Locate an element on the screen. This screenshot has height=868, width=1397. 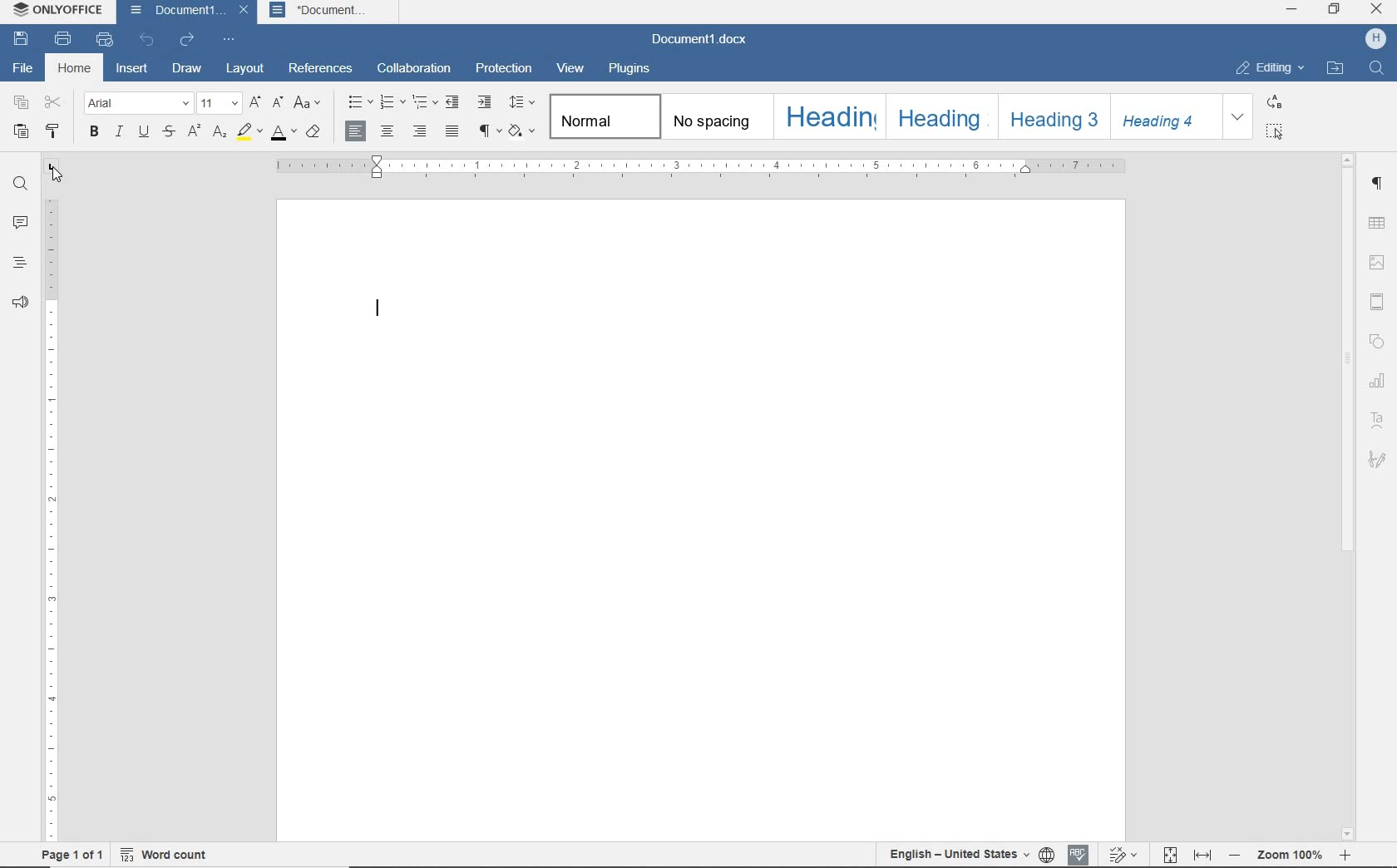
PROTECTION is located at coordinates (504, 68).